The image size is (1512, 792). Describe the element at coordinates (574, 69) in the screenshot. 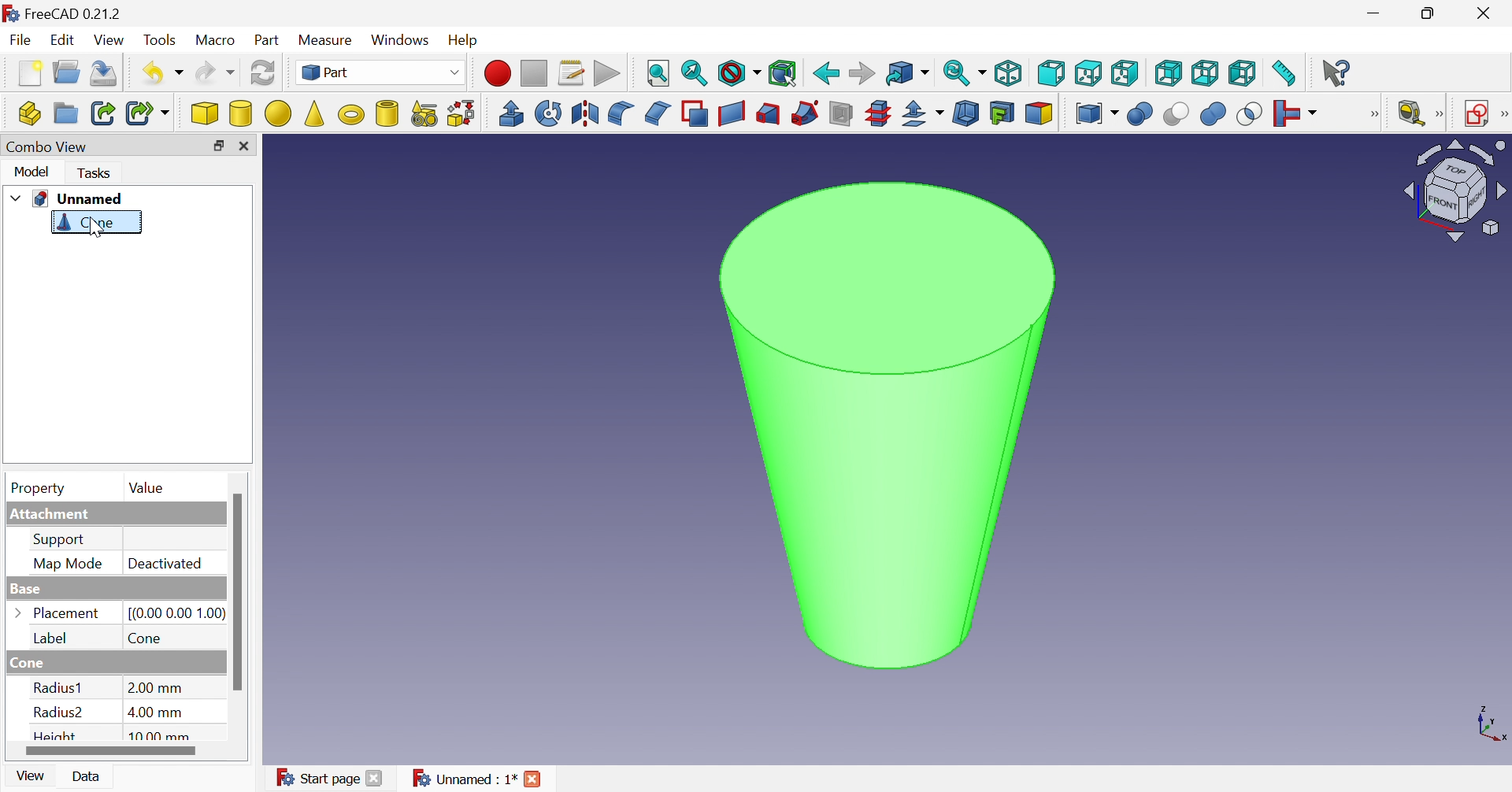

I see `Macros` at that location.